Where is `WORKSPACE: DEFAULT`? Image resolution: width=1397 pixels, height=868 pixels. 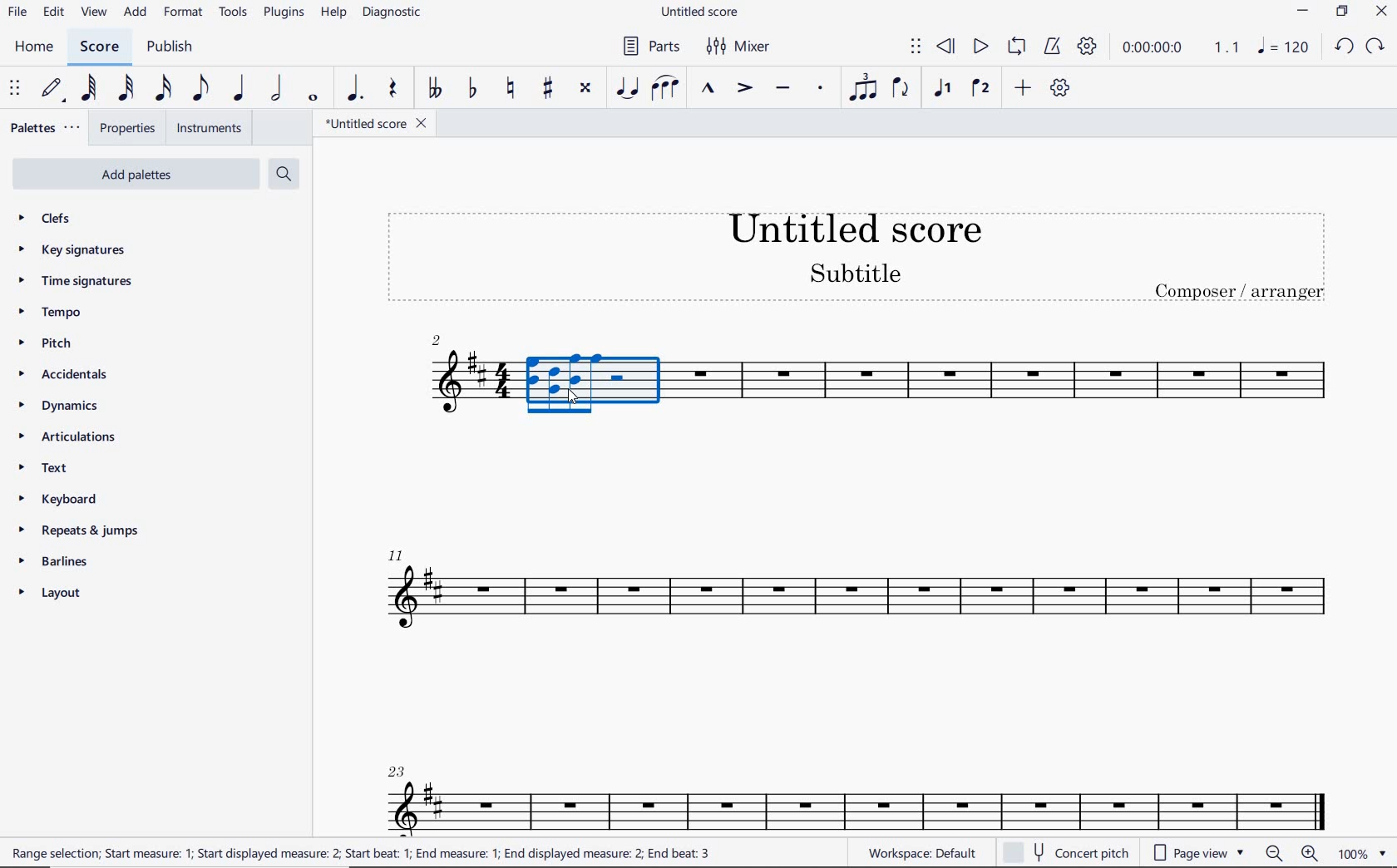
WORKSPACE: DEFAULT is located at coordinates (919, 852).